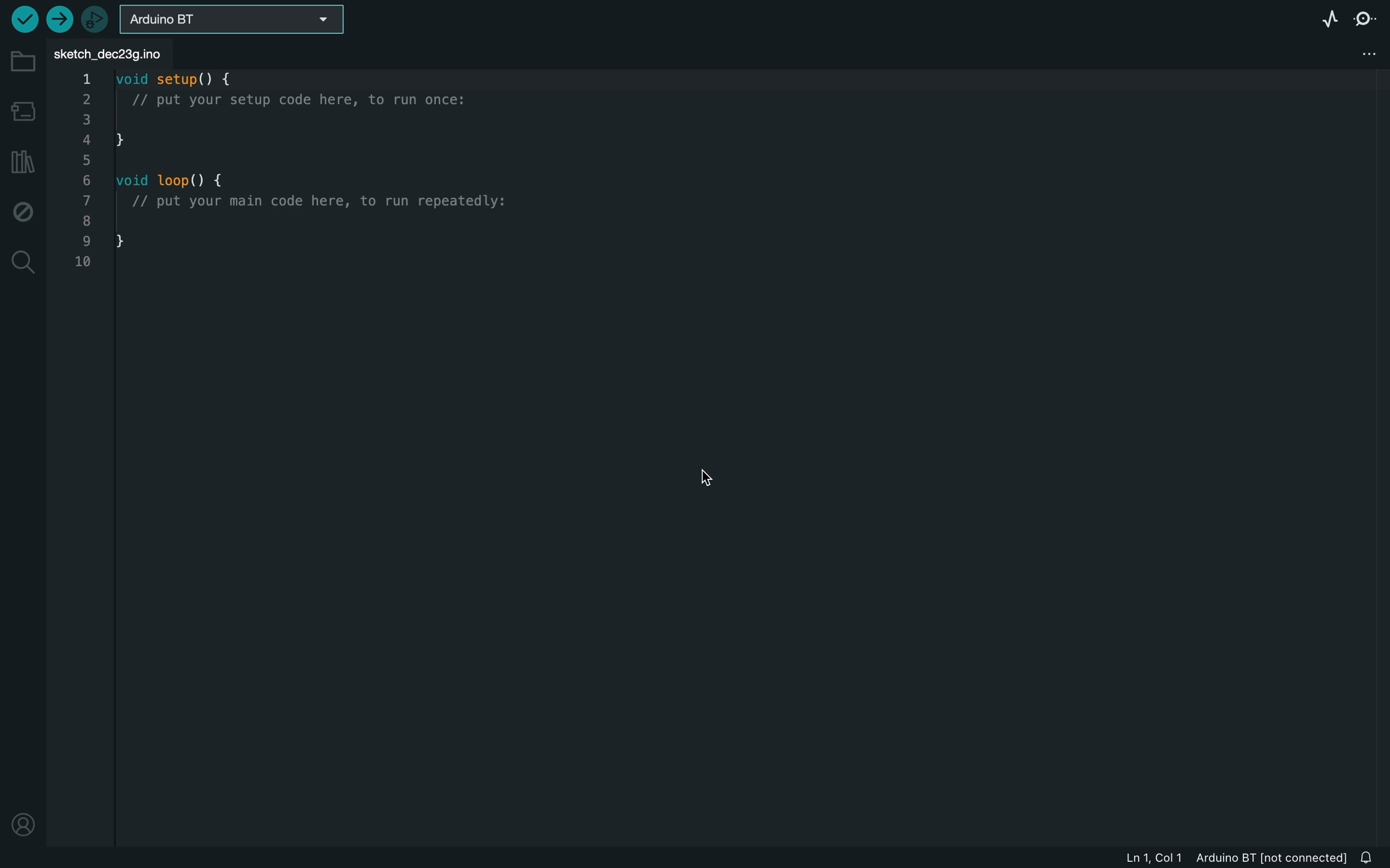 The image size is (1390, 868). Describe the element at coordinates (1366, 18) in the screenshot. I see `serial monitor` at that location.